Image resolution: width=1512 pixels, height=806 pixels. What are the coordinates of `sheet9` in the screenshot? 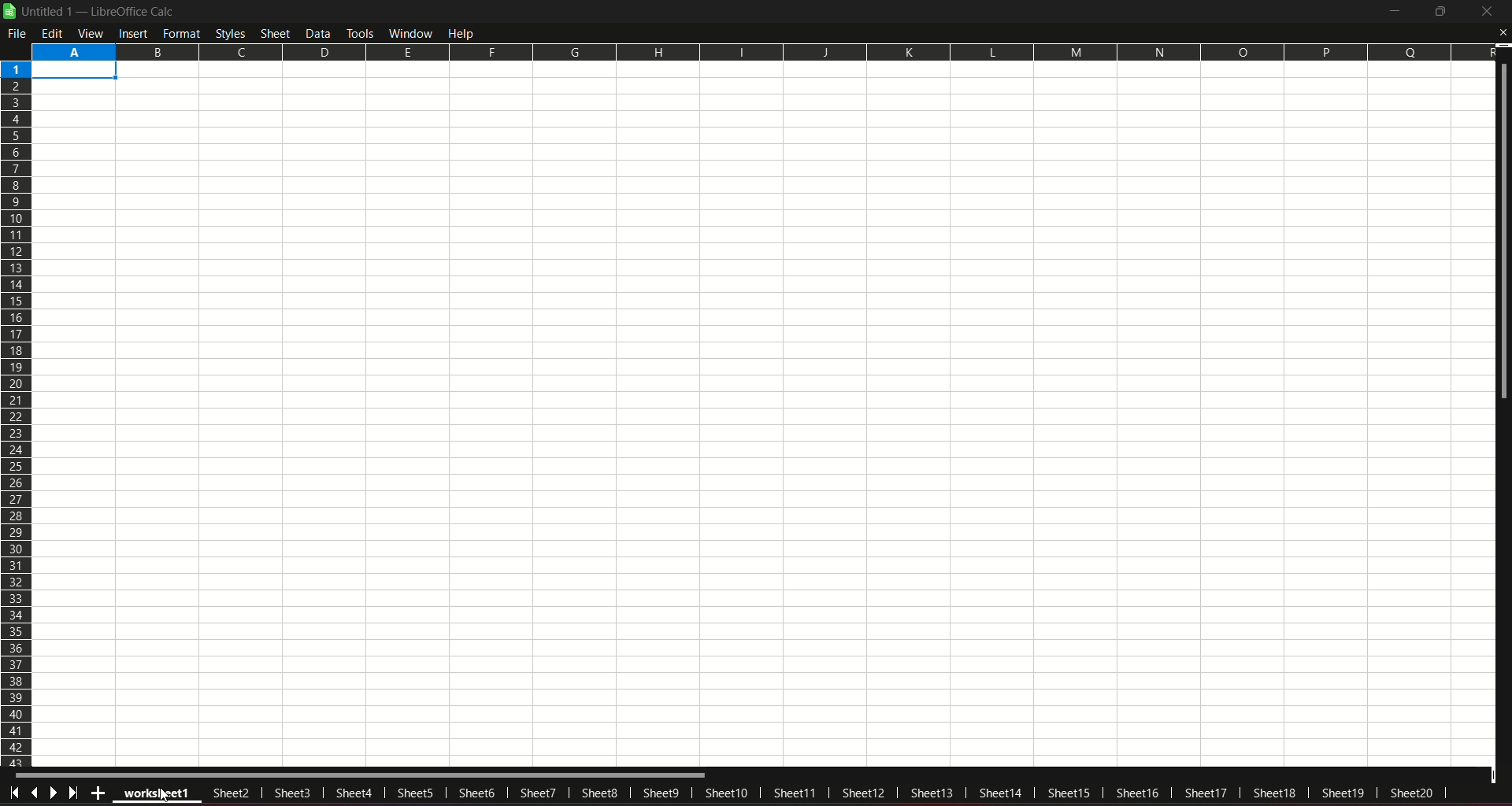 It's located at (661, 794).